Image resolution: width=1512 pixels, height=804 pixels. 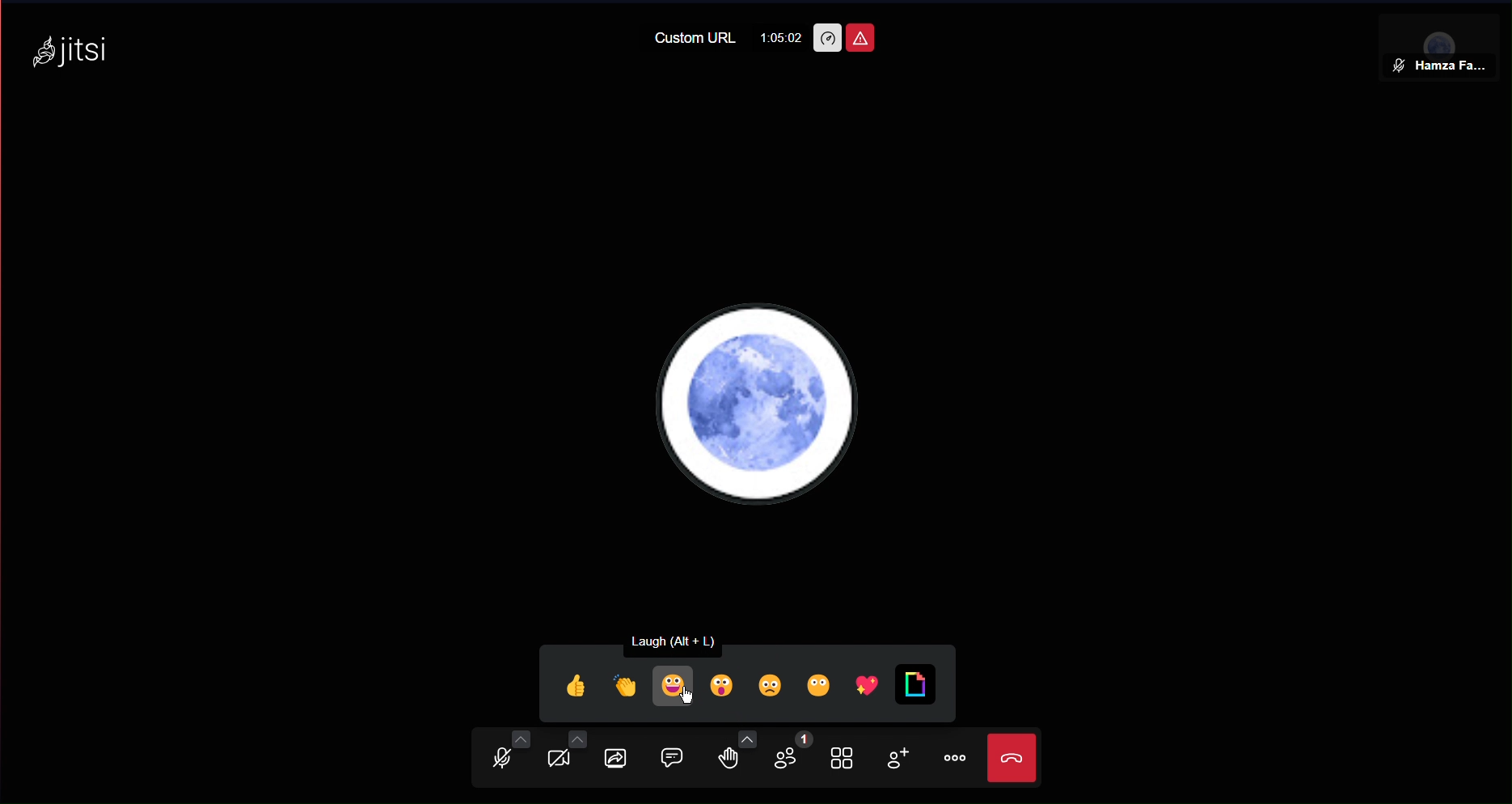 I want to click on Add Participant, so click(x=894, y=761).